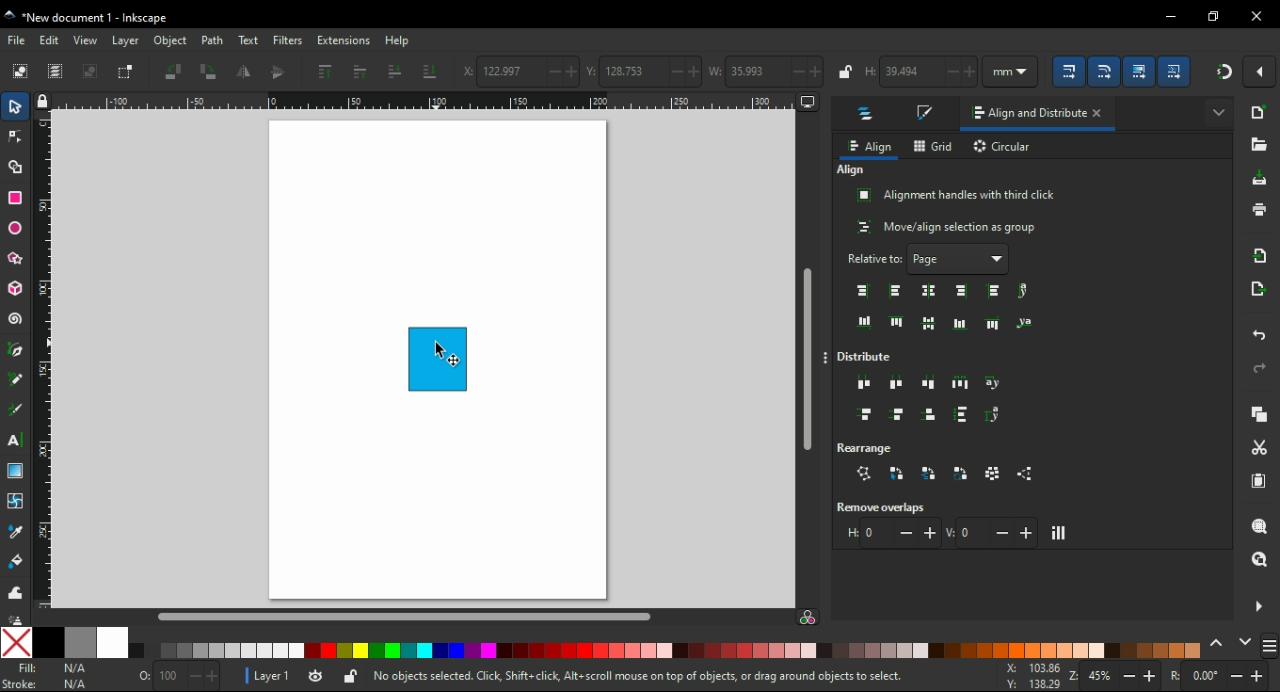 This screenshot has height=692, width=1280. What do you see at coordinates (1114, 674) in the screenshot?
I see `zoom in/ zoom out` at bounding box center [1114, 674].